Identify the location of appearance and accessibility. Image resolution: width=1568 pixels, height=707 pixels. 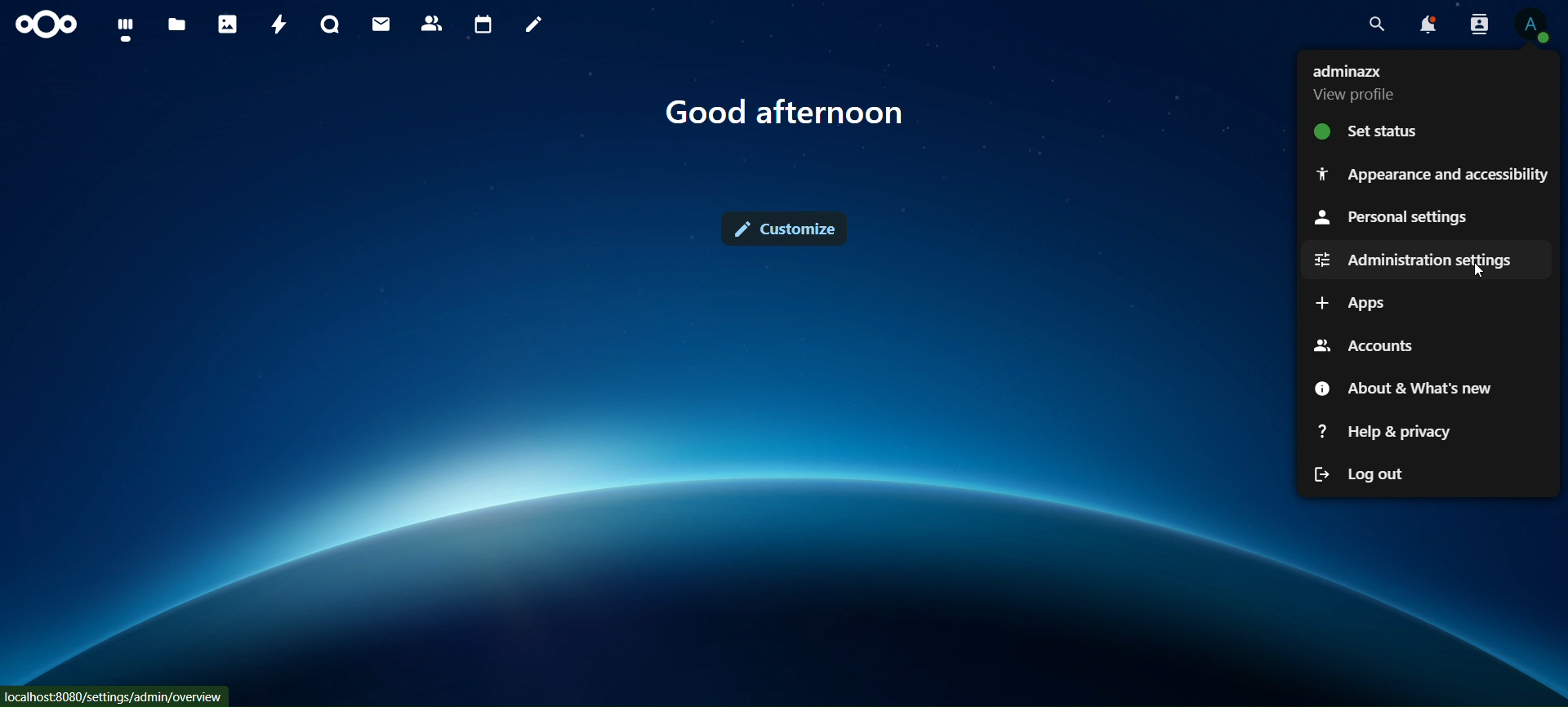
(1432, 172).